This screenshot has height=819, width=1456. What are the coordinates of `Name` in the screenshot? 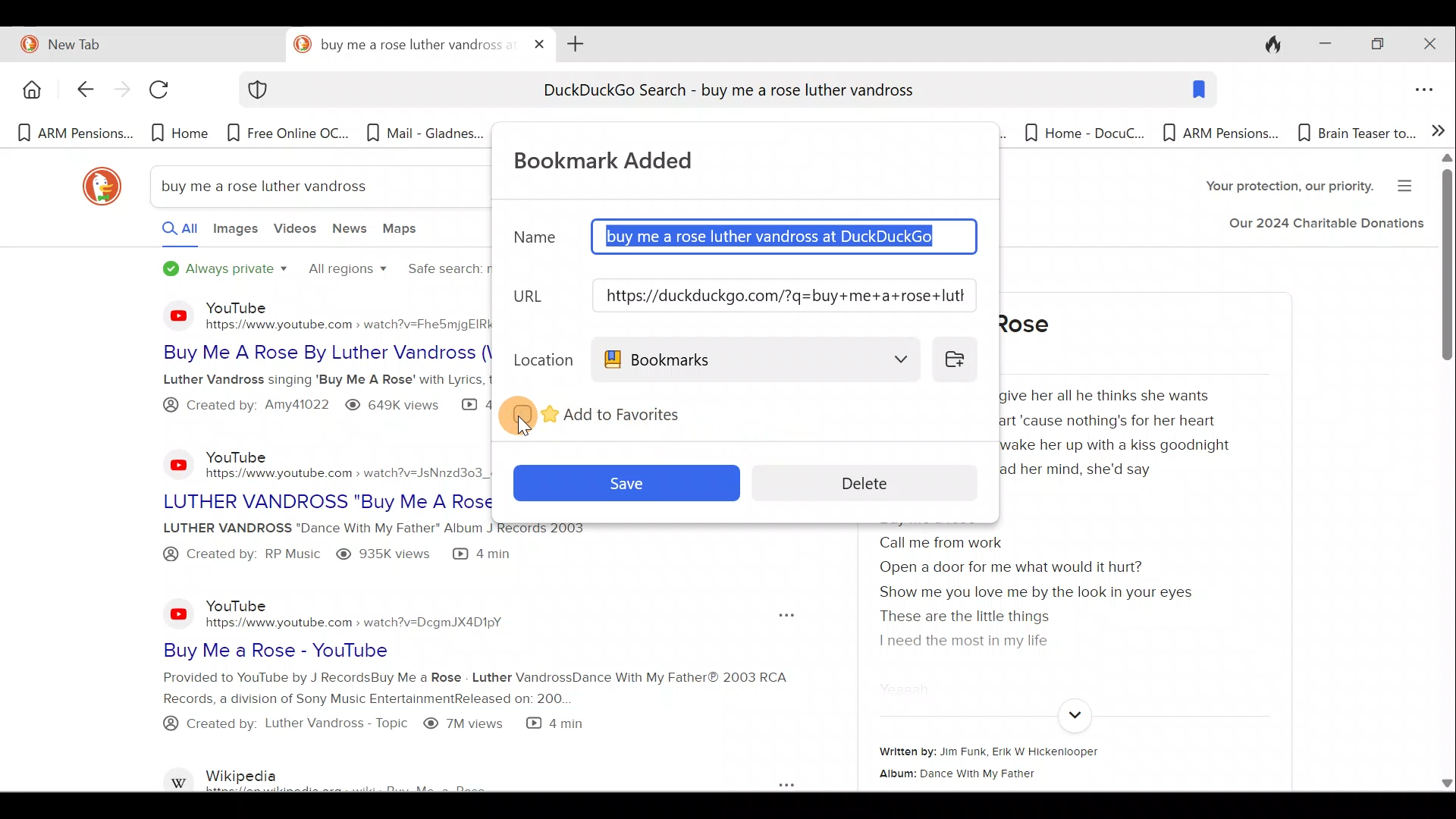 It's located at (534, 243).